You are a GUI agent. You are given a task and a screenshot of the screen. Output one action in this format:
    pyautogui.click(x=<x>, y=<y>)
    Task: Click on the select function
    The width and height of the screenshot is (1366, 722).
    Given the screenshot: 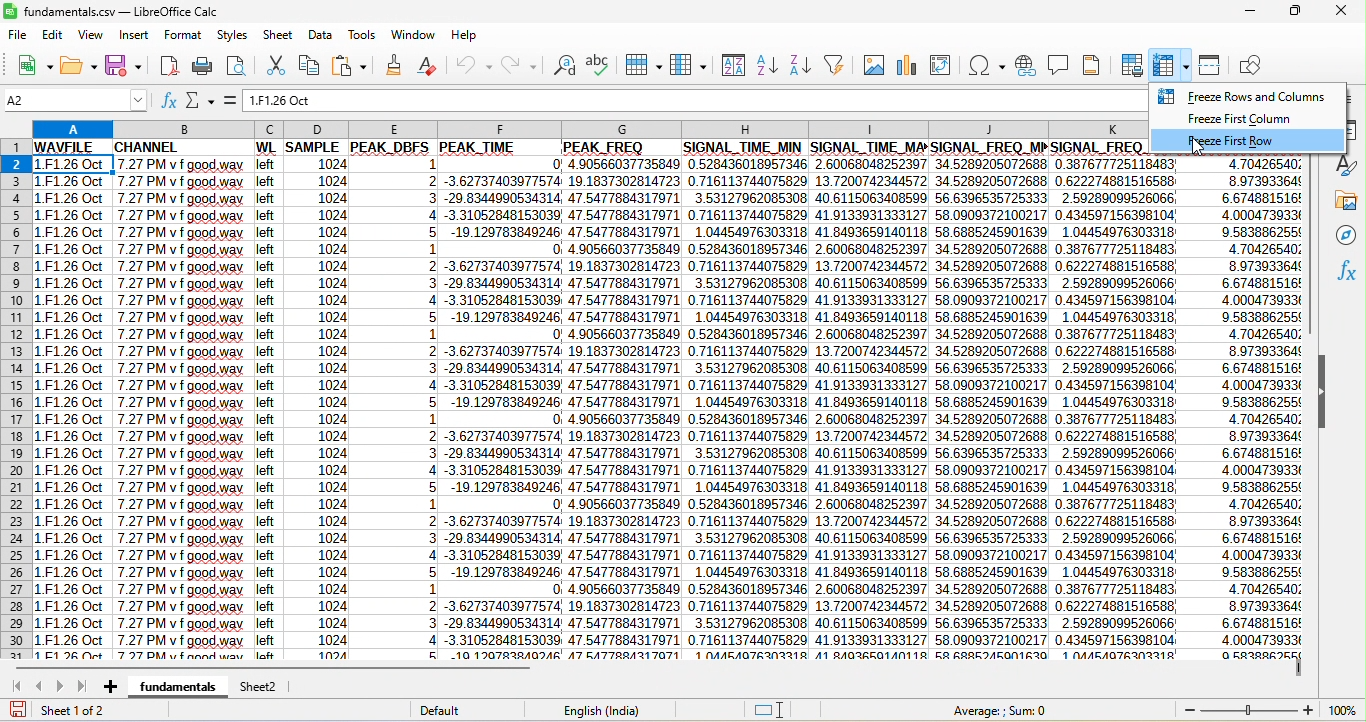 What is the action you would take?
    pyautogui.click(x=205, y=101)
    